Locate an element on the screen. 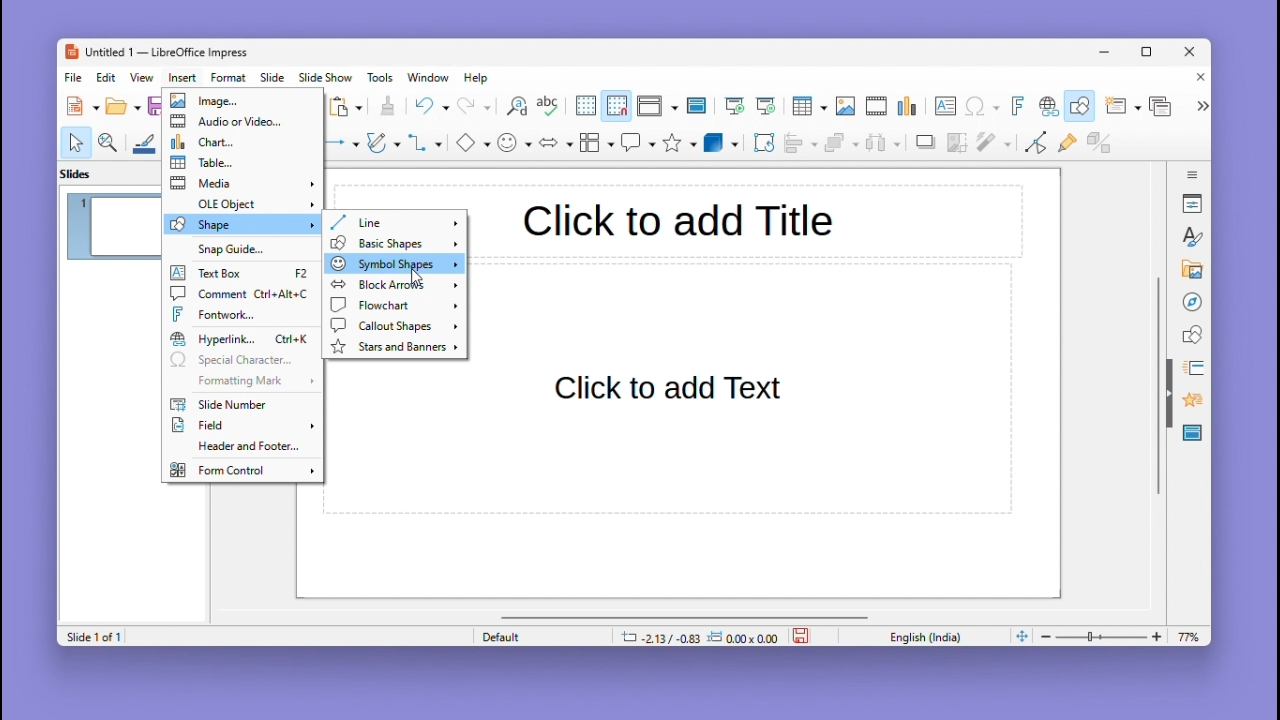 The width and height of the screenshot is (1280, 720). Window is located at coordinates (433, 77).